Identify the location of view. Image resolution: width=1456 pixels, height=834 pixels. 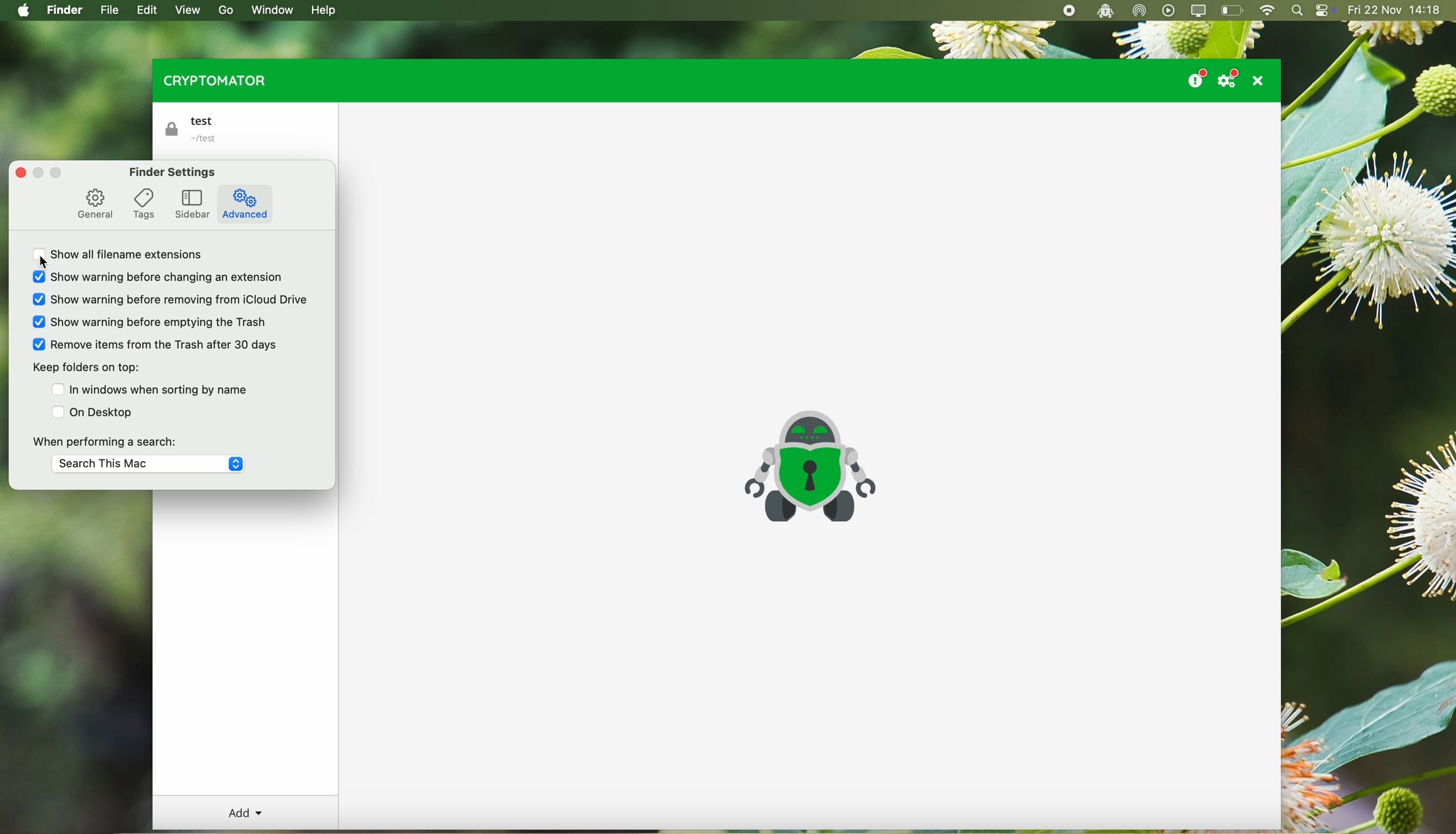
(187, 10).